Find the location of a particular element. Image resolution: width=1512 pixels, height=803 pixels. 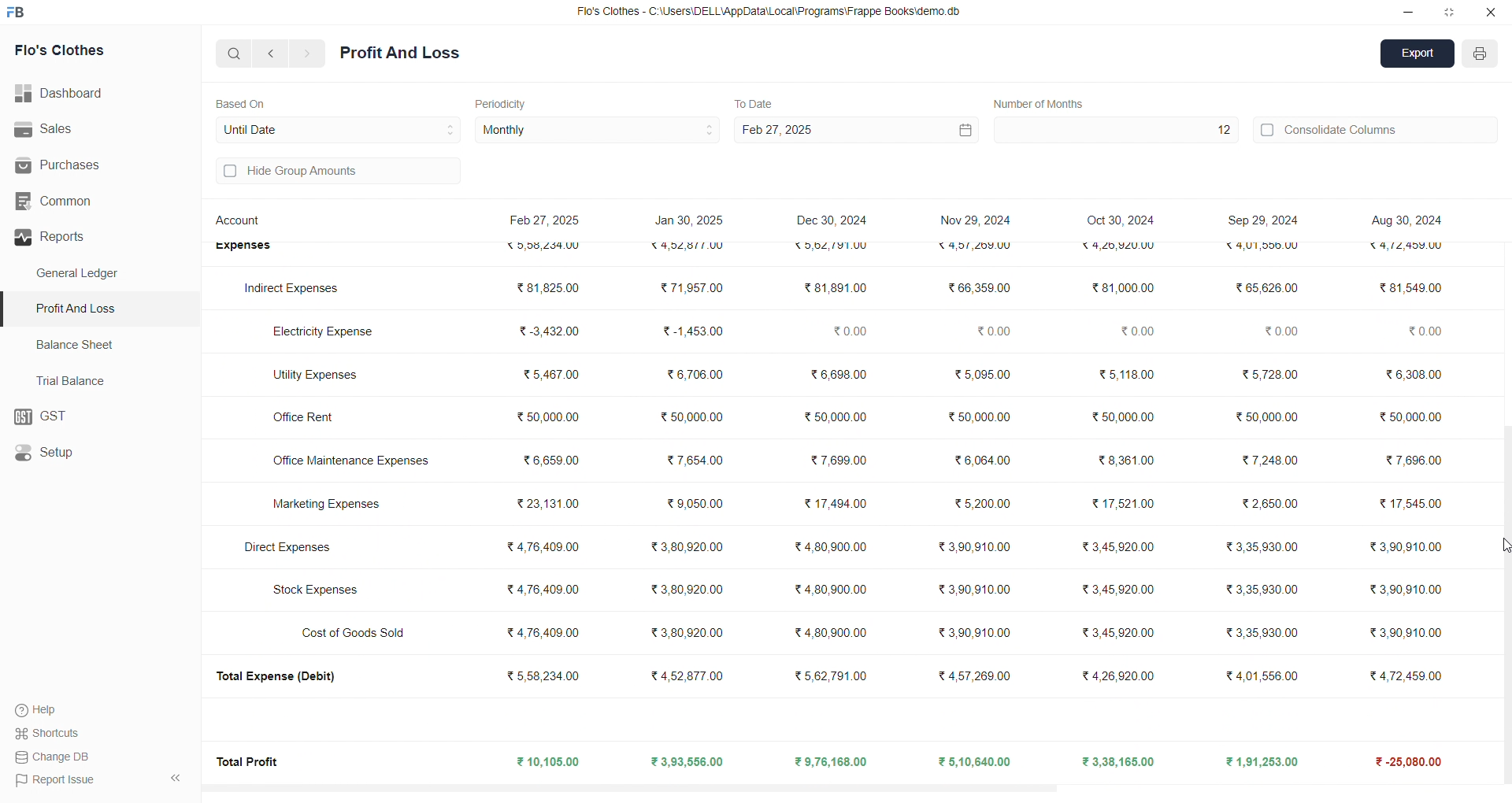

To Date is located at coordinates (753, 102).